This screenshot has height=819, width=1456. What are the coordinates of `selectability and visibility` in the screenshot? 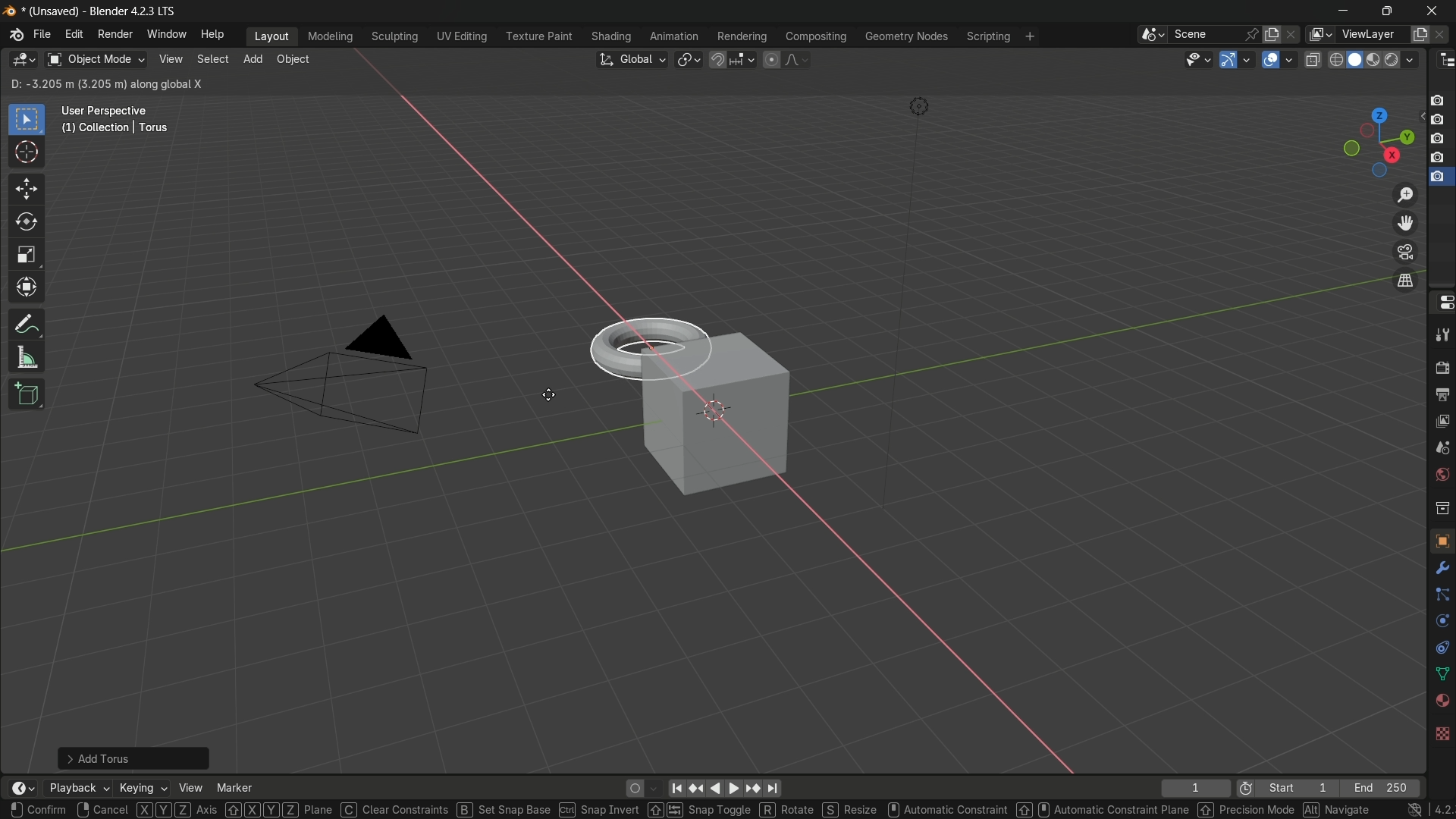 It's located at (1199, 59).